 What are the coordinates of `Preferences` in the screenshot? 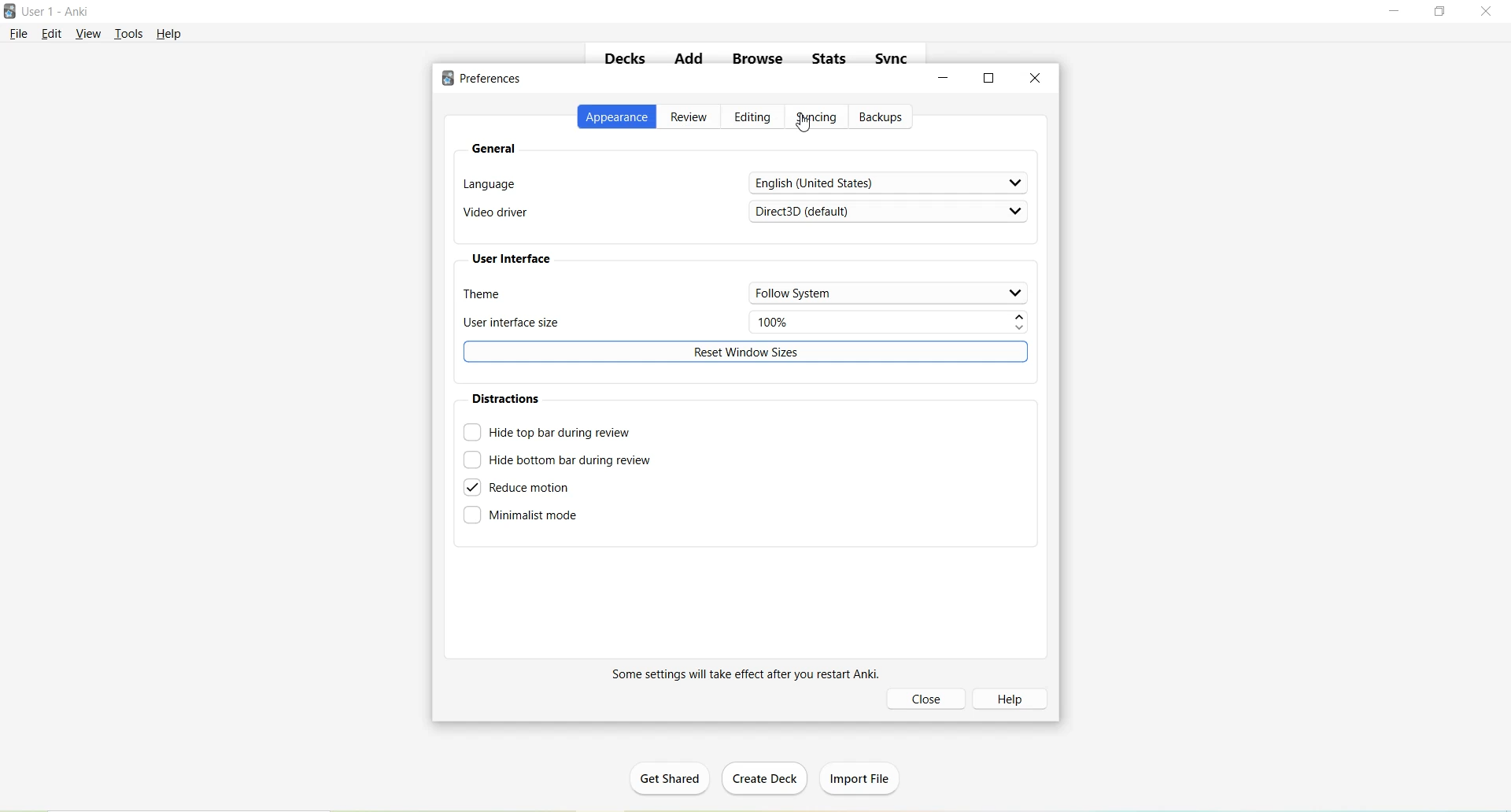 It's located at (486, 79).